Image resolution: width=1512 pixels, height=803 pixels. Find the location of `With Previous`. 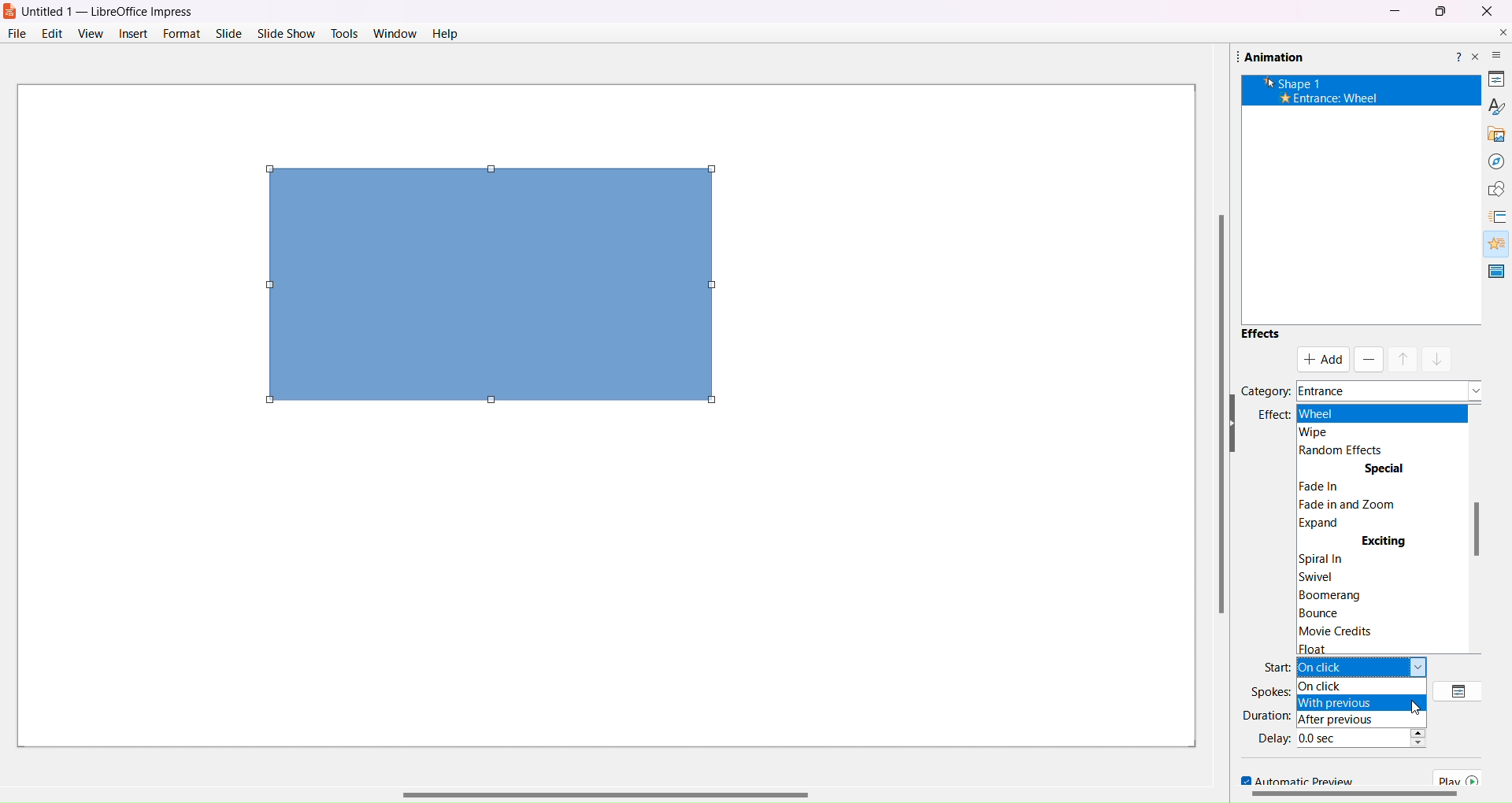

With Previous is located at coordinates (1351, 703).